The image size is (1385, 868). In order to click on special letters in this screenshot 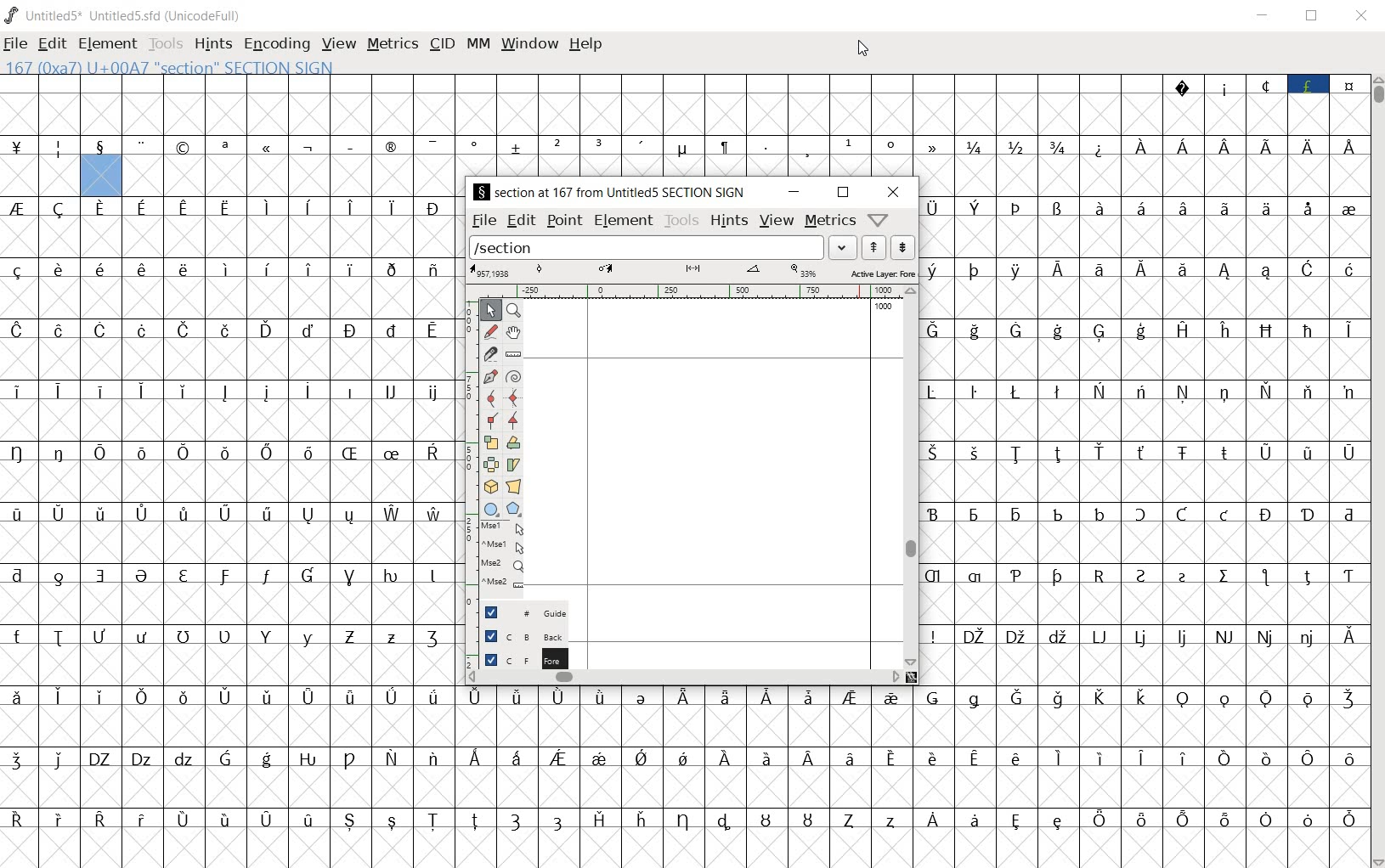, I will do `click(235, 206)`.